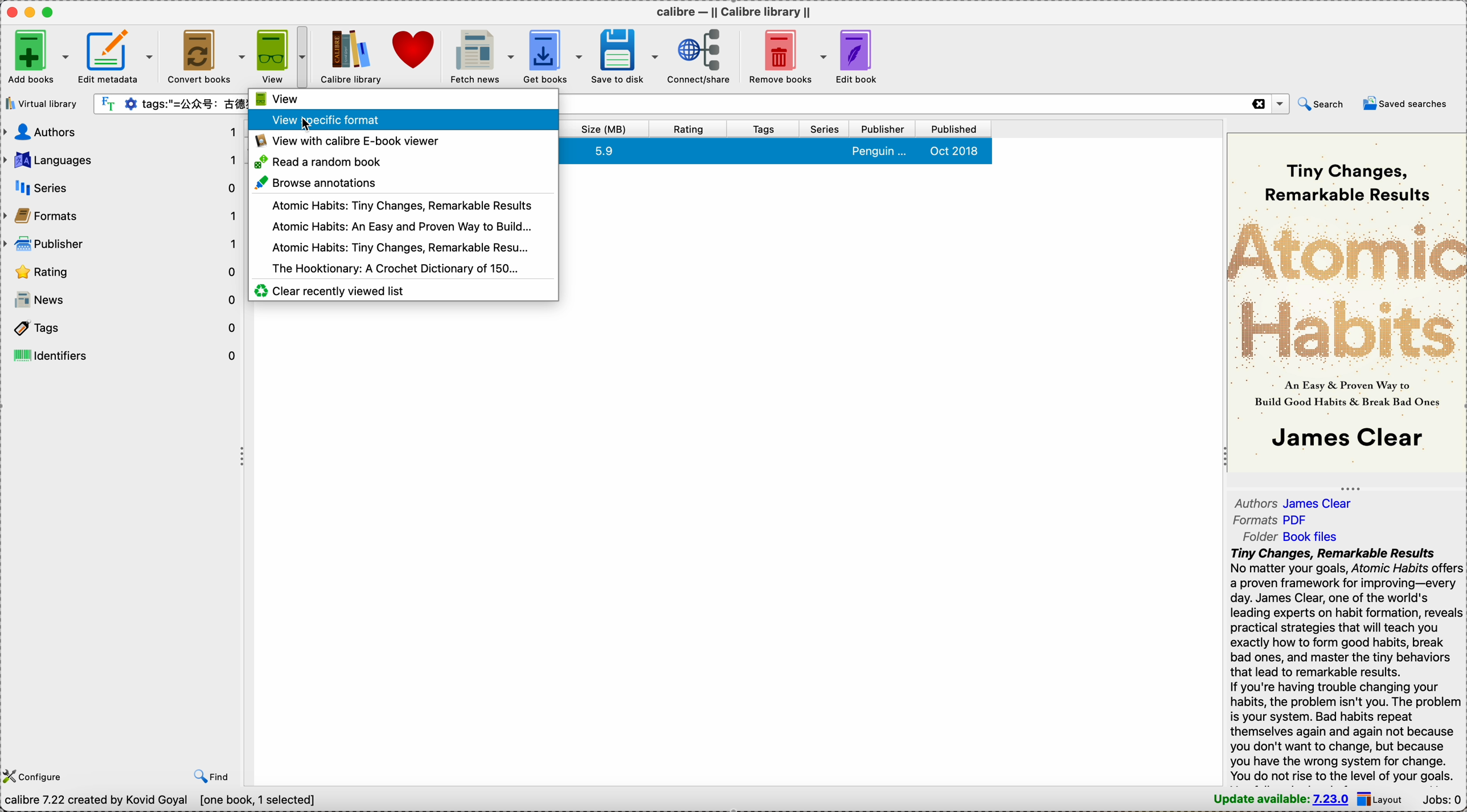  Describe the element at coordinates (28, 12) in the screenshot. I see `minimize Calibre` at that location.